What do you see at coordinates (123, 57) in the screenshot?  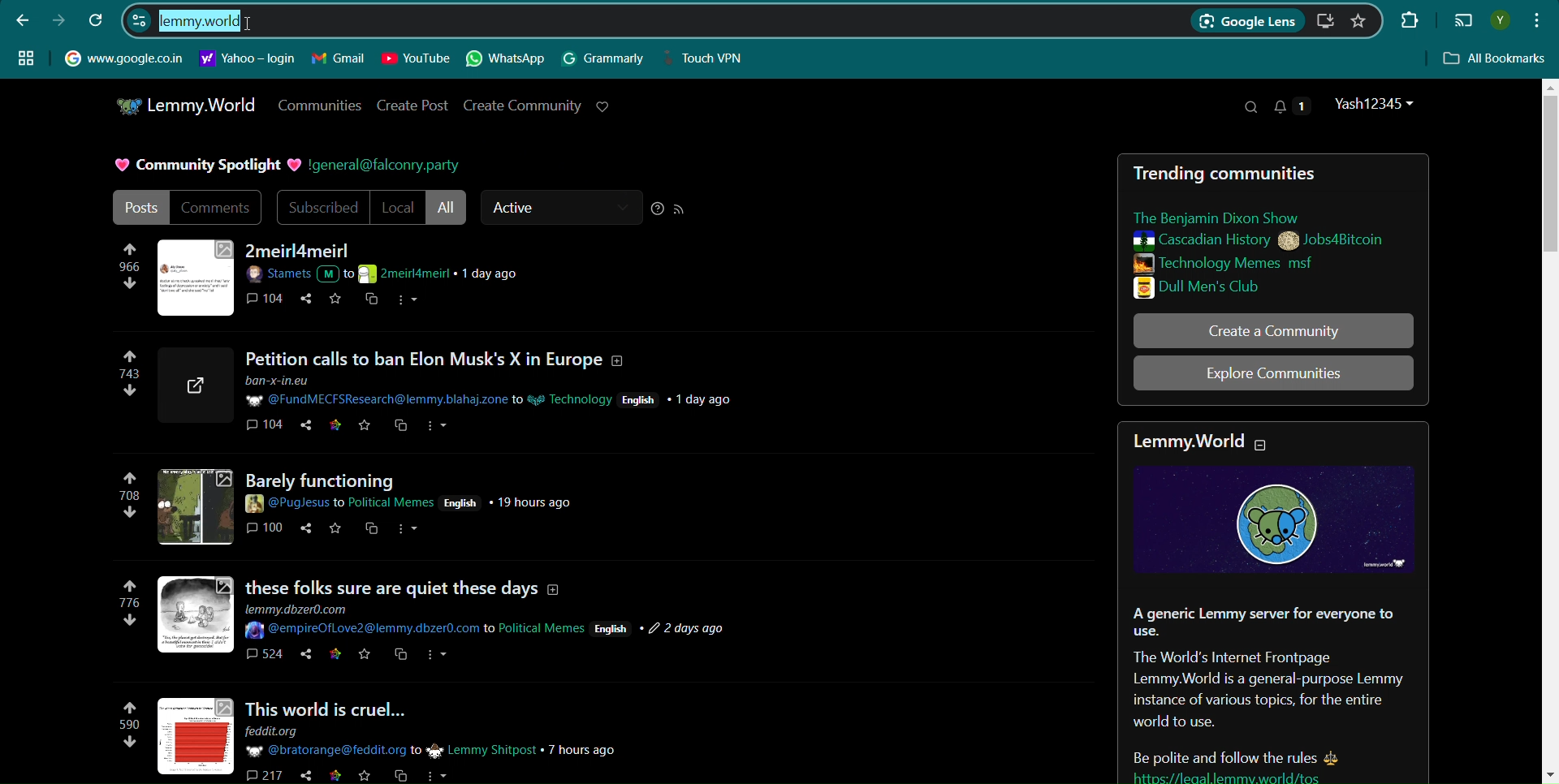 I see `Hyperlink` at bounding box center [123, 57].